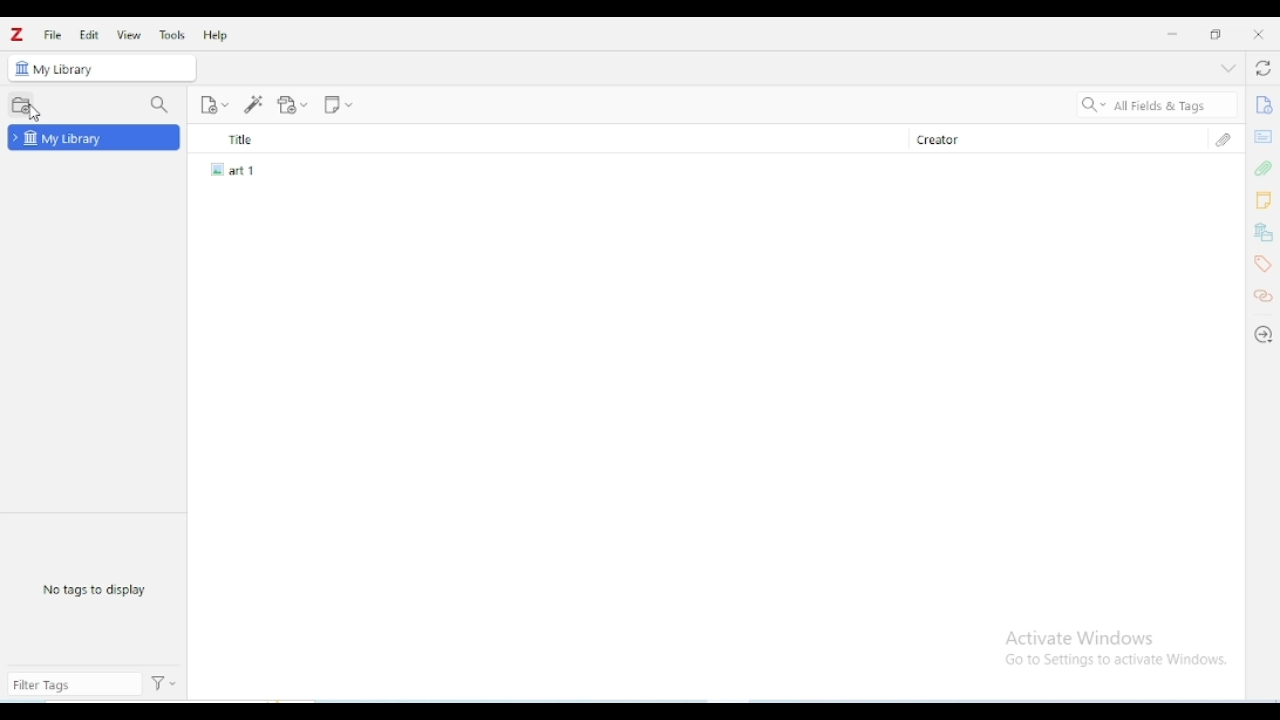  I want to click on Activate Windows, so click(1082, 639).